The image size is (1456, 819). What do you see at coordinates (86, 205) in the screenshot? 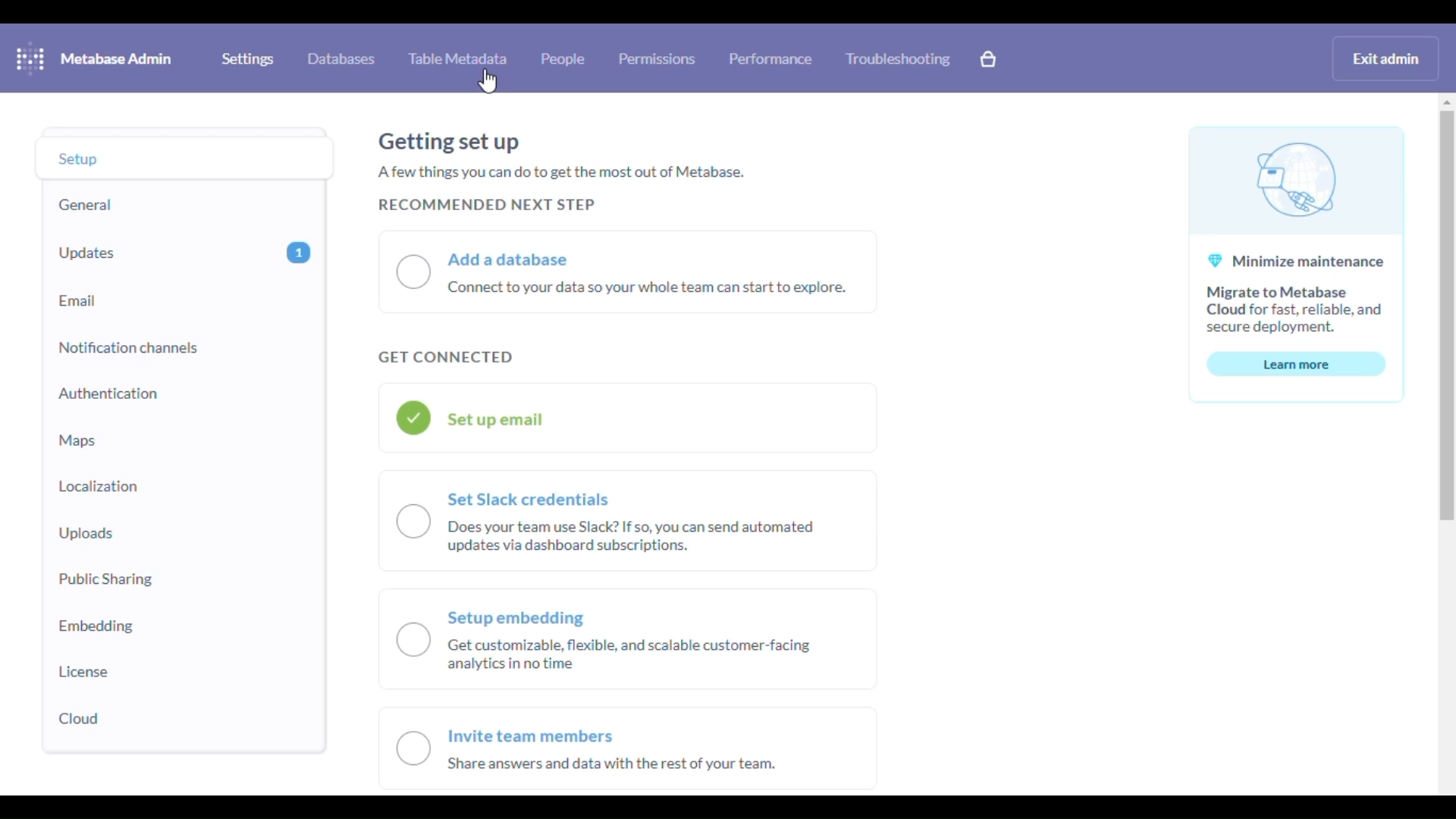
I see `general` at bounding box center [86, 205].